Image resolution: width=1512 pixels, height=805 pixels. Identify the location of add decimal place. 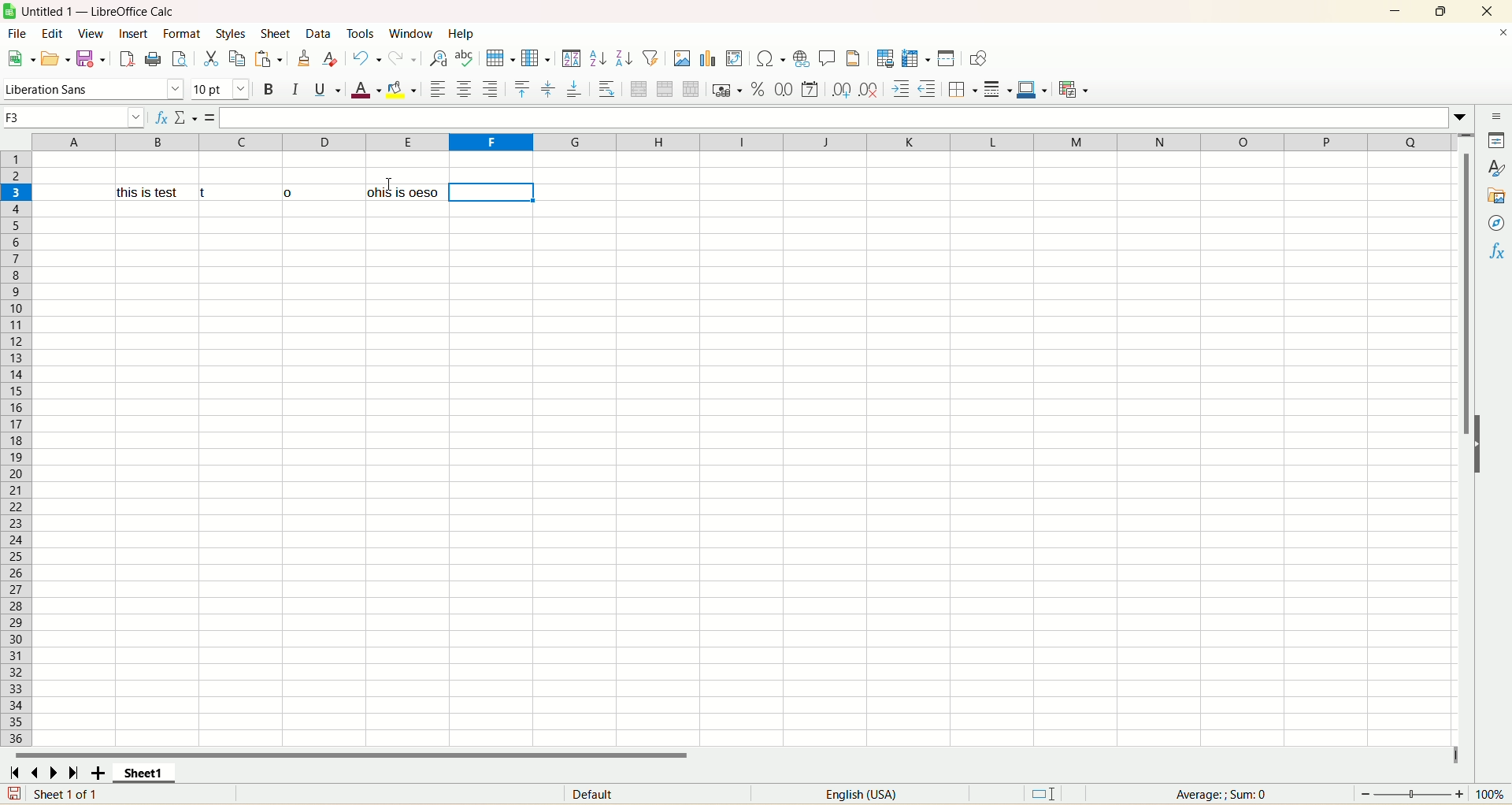
(843, 90).